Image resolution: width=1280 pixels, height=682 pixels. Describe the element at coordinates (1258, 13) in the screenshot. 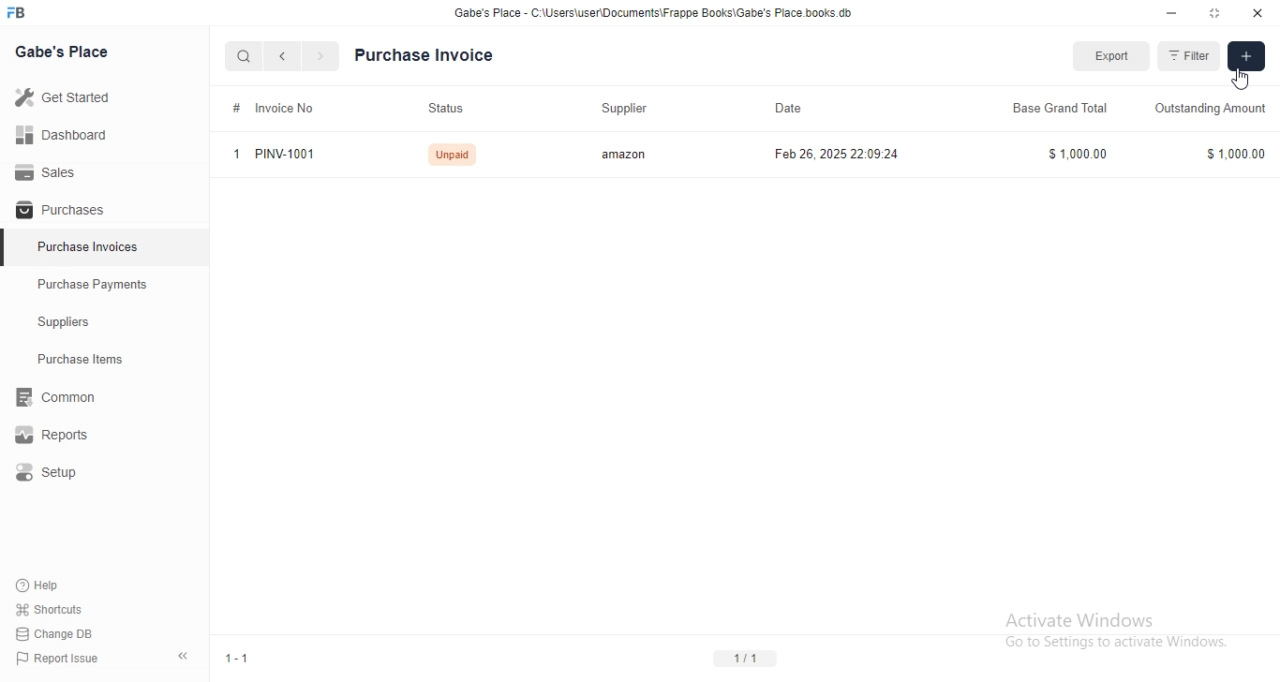

I see `Close` at that location.